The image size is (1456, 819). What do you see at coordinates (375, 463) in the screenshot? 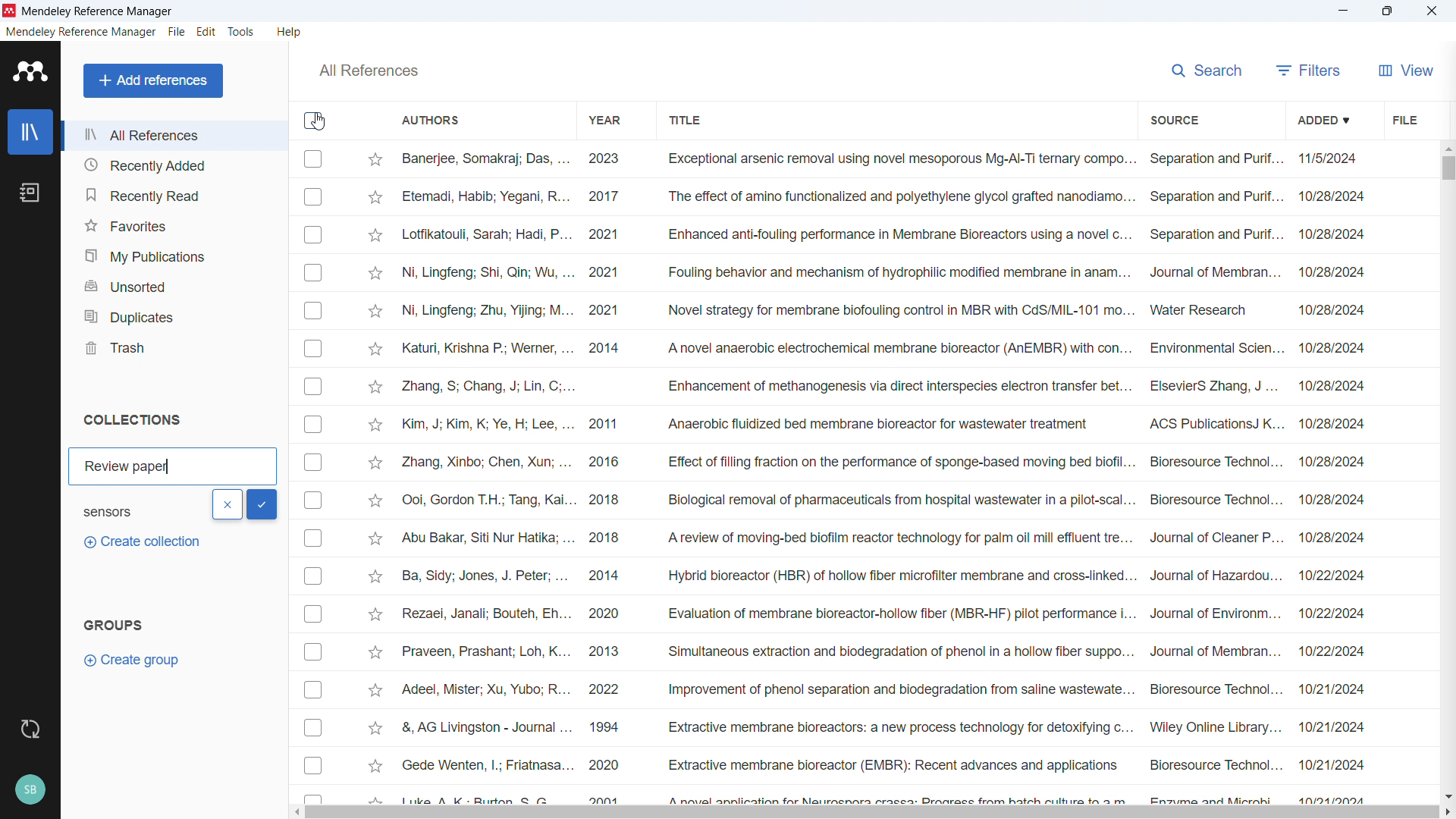
I see `Star mark respective publication` at bounding box center [375, 463].